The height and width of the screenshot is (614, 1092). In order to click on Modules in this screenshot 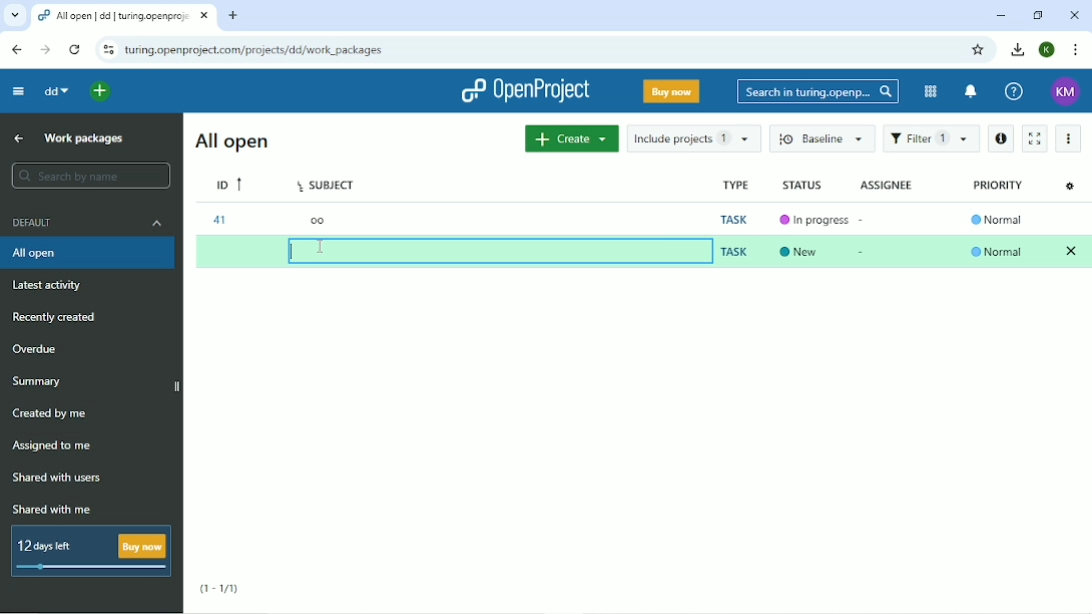, I will do `click(929, 90)`.